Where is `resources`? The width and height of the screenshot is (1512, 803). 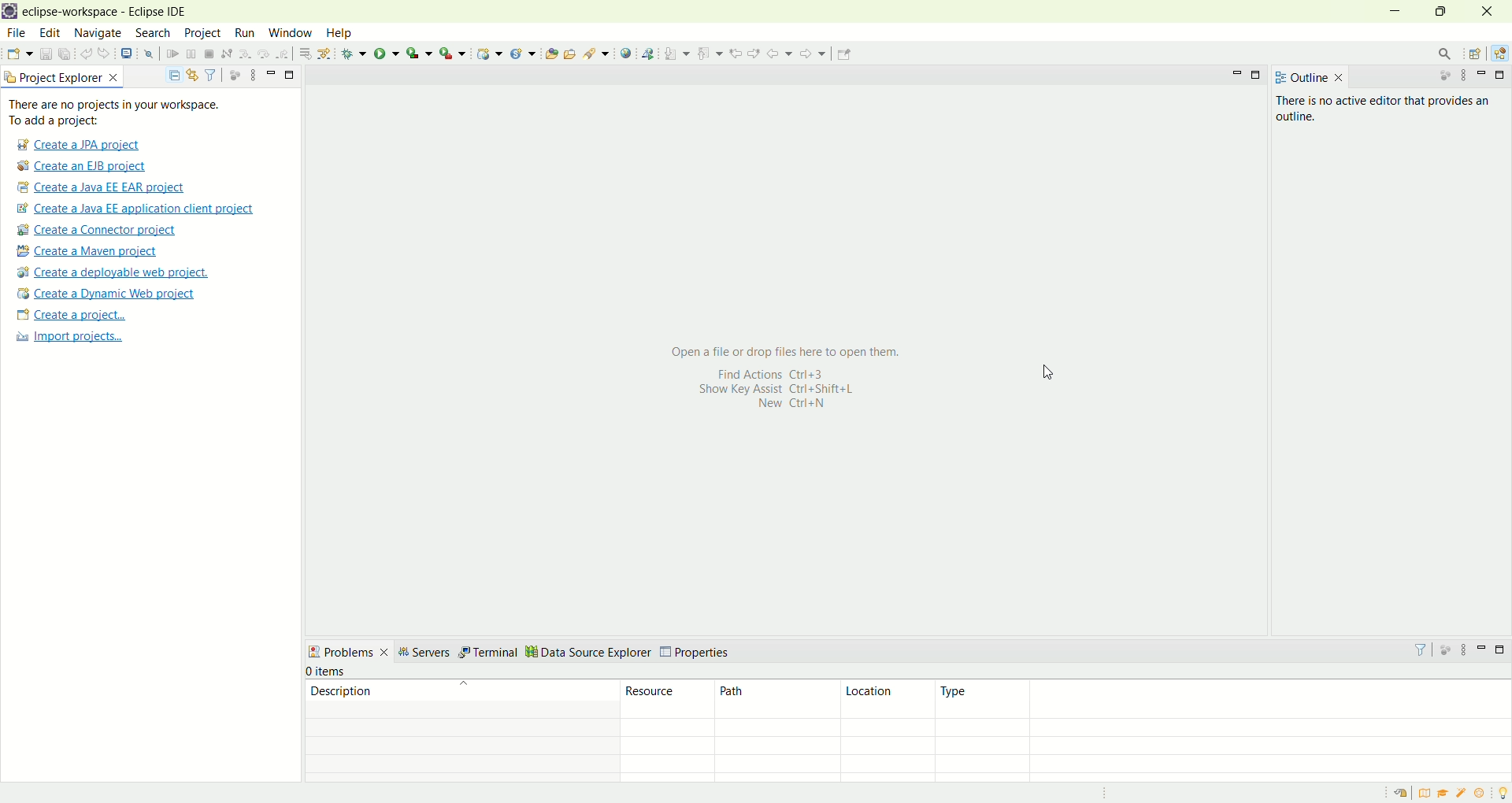
resources is located at coordinates (668, 698).